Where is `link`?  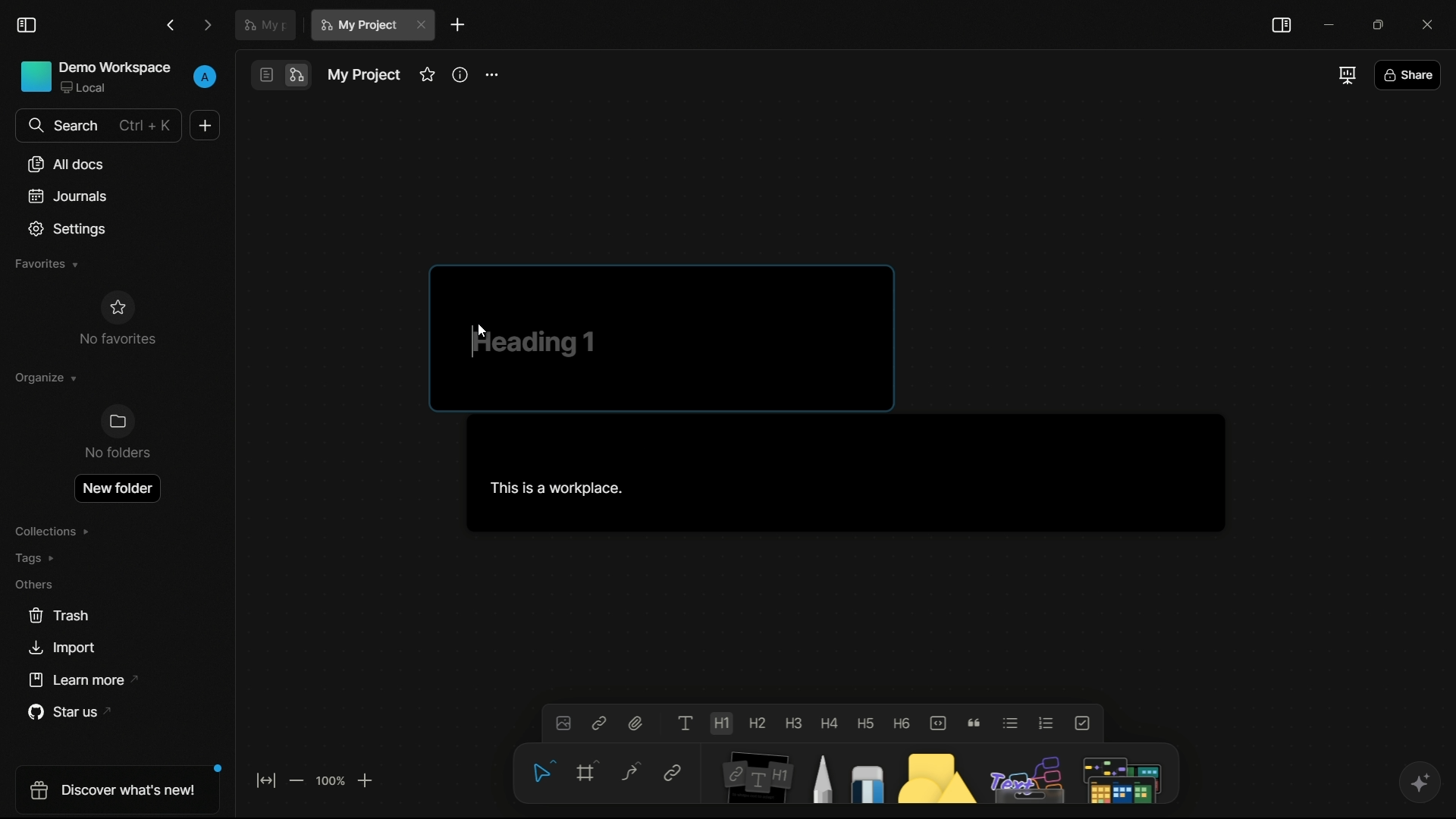
link is located at coordinates (672, 773).